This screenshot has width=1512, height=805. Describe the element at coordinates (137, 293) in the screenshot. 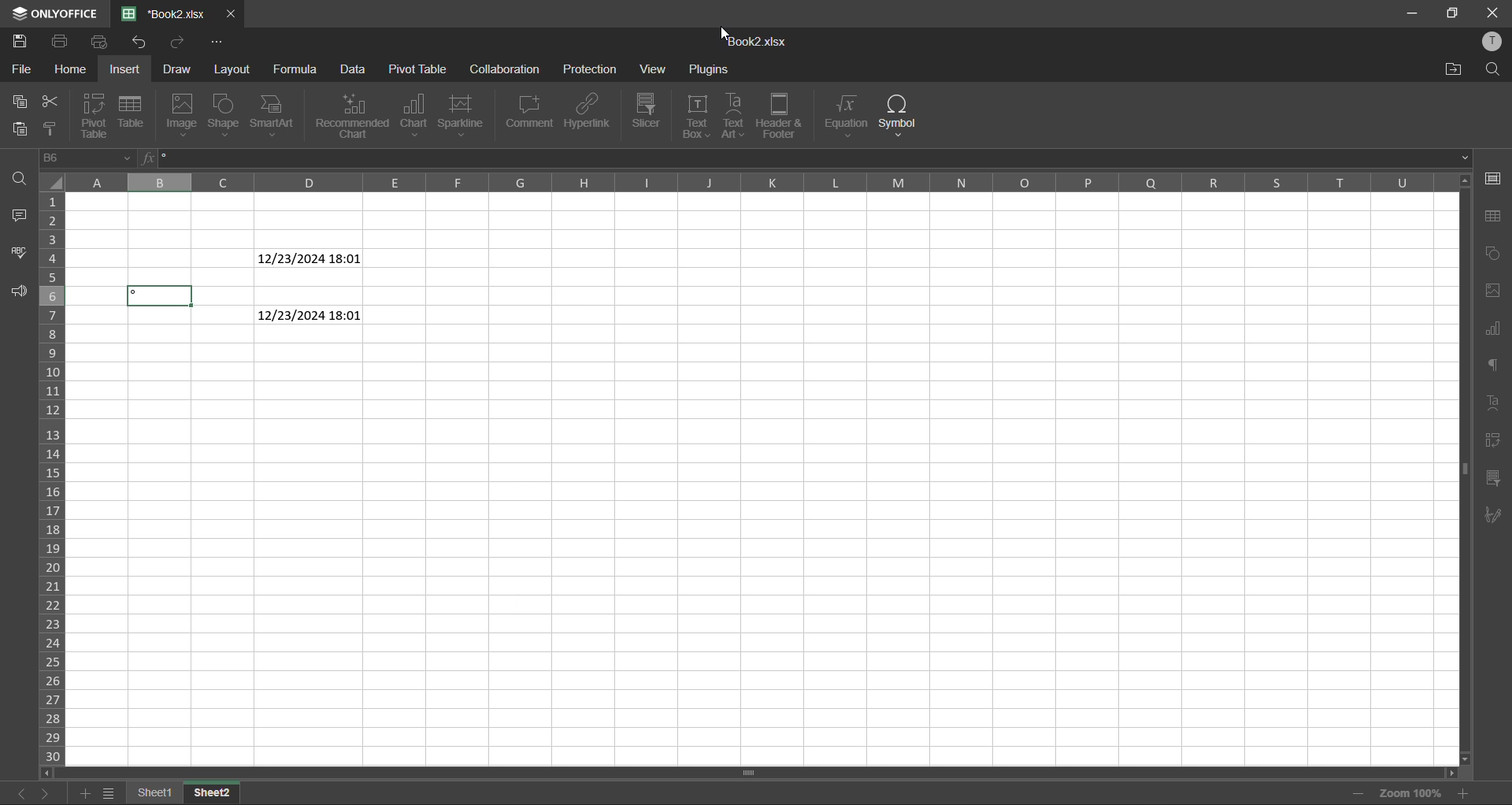

I see `symbol added` at that location.